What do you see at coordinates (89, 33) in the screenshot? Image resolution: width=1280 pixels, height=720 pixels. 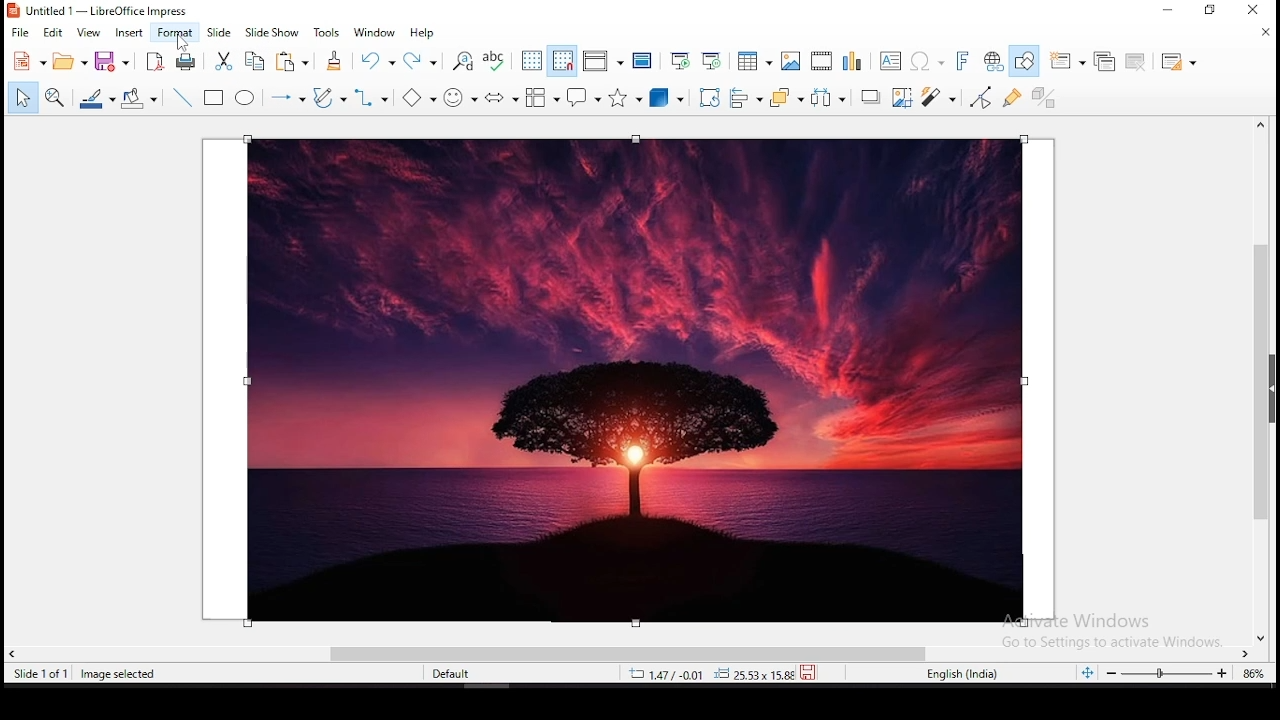 I see `view` at bounding box center [89, 33].